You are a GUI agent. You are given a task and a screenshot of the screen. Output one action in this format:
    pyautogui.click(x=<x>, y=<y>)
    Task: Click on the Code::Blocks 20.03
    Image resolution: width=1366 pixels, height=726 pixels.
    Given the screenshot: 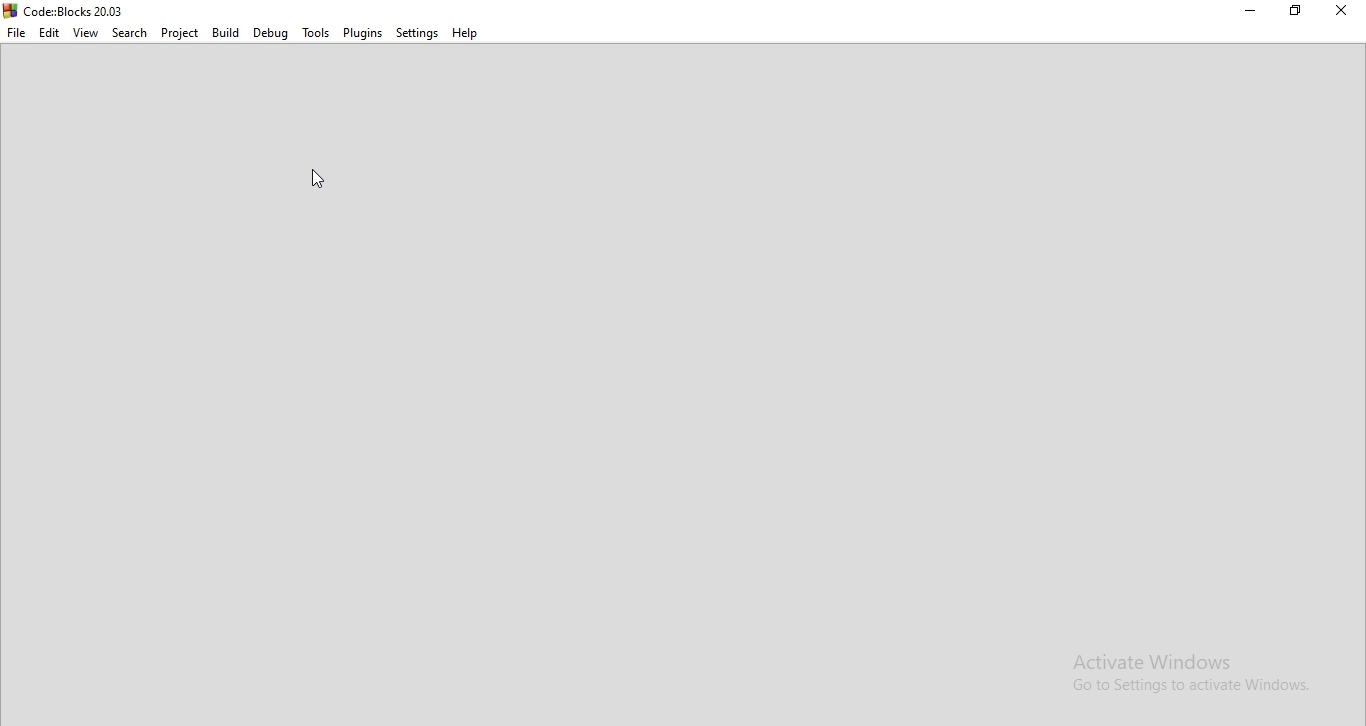 What is the action you would take?
    pyautogui.click(x=95, y=10)
    